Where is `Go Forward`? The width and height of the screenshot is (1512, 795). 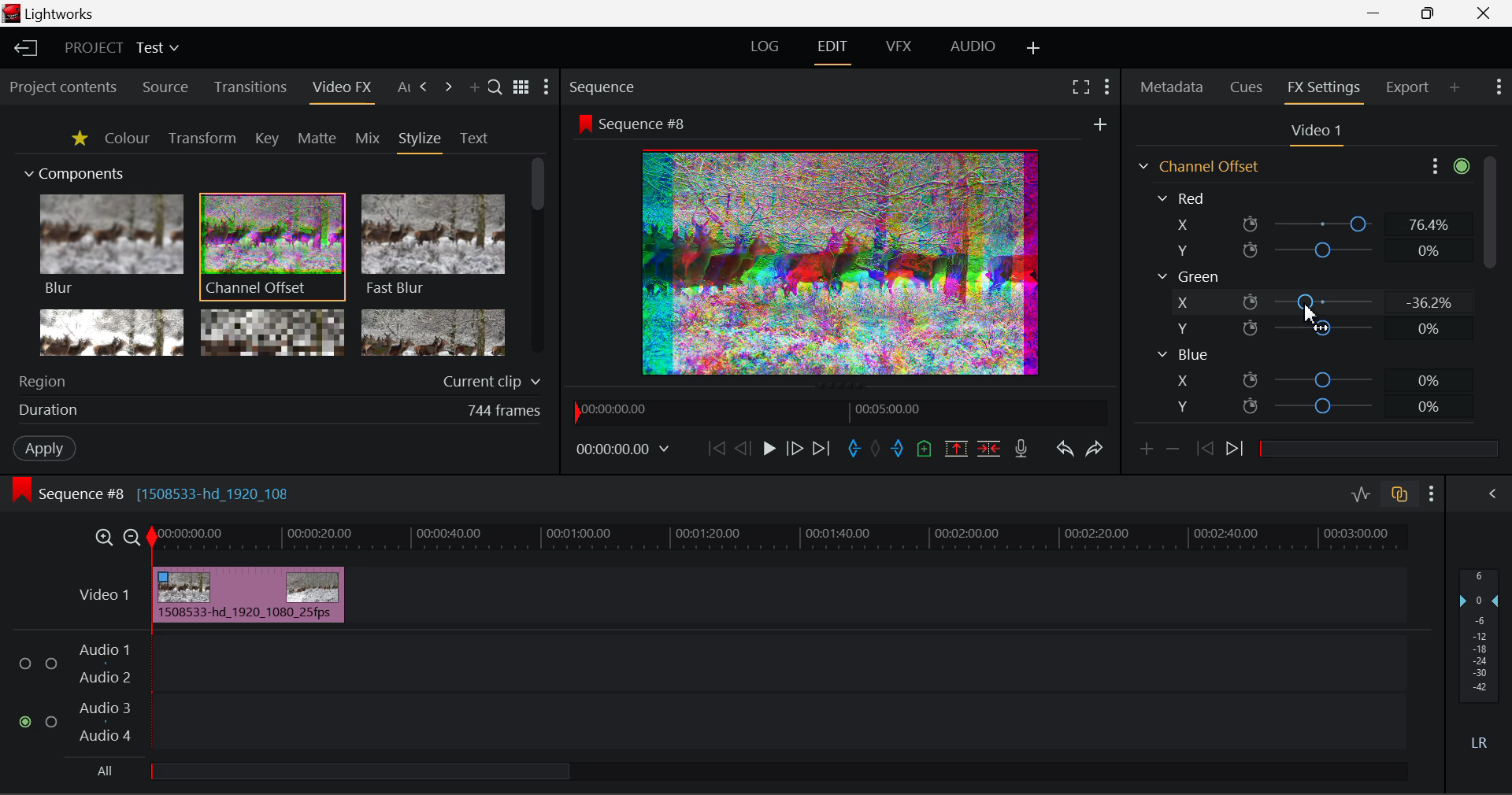
Go Forward is located at coordinates (795, 450).